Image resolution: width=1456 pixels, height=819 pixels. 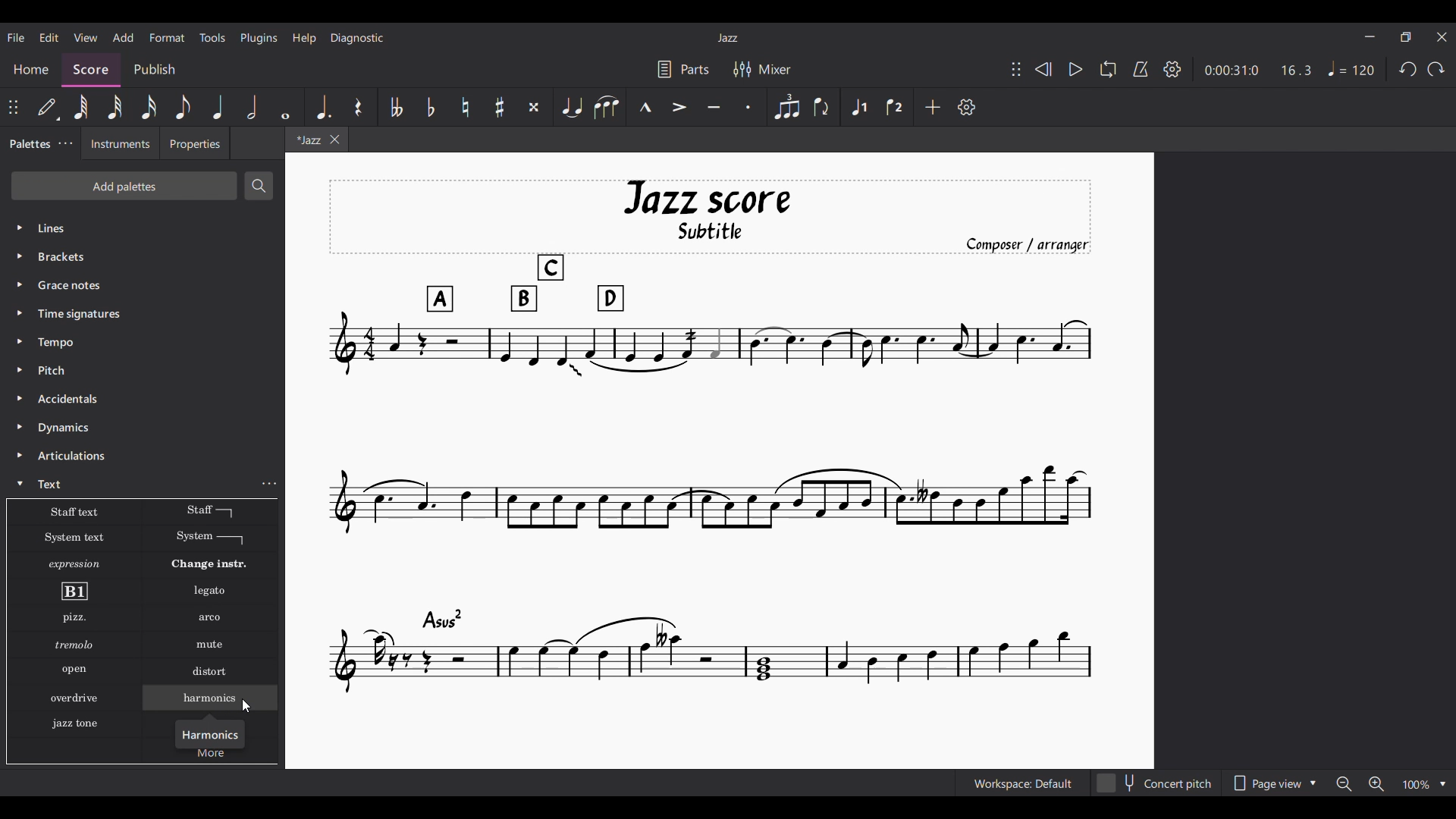 I want to click on Rest, so click(x=358, y=106).